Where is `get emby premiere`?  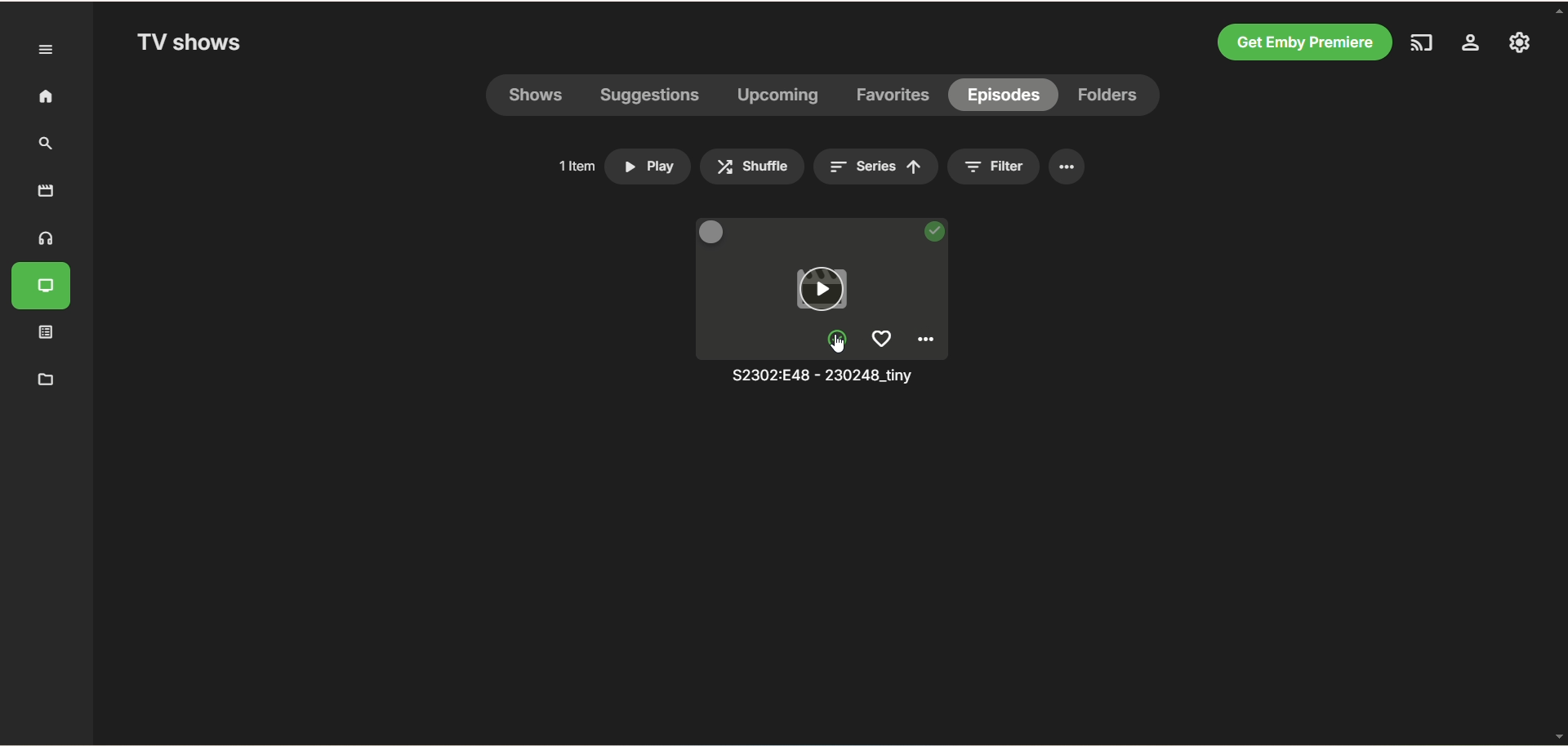
get emby premiere is located at coordinates (1302, 42).